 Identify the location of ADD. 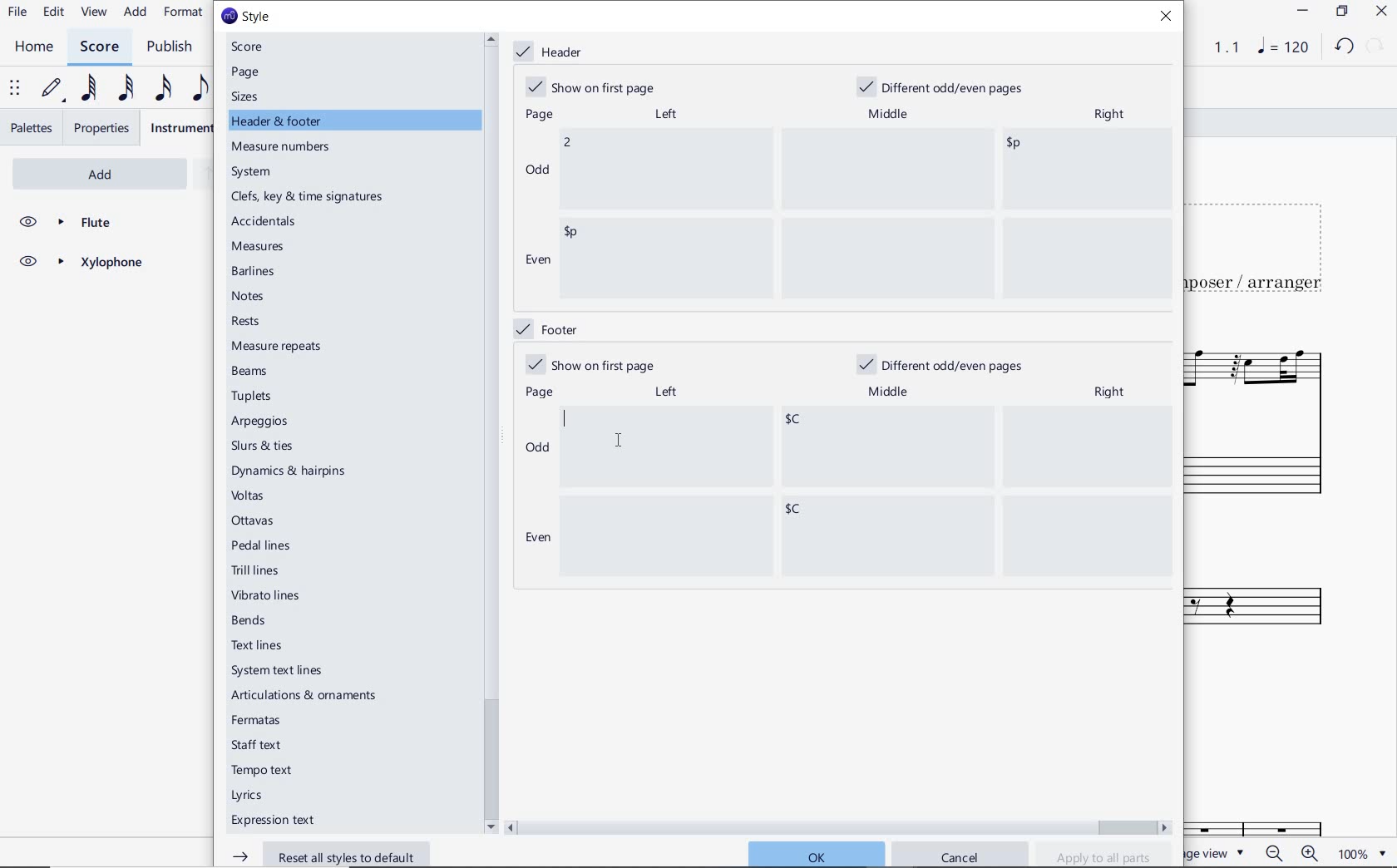
(136, 12).